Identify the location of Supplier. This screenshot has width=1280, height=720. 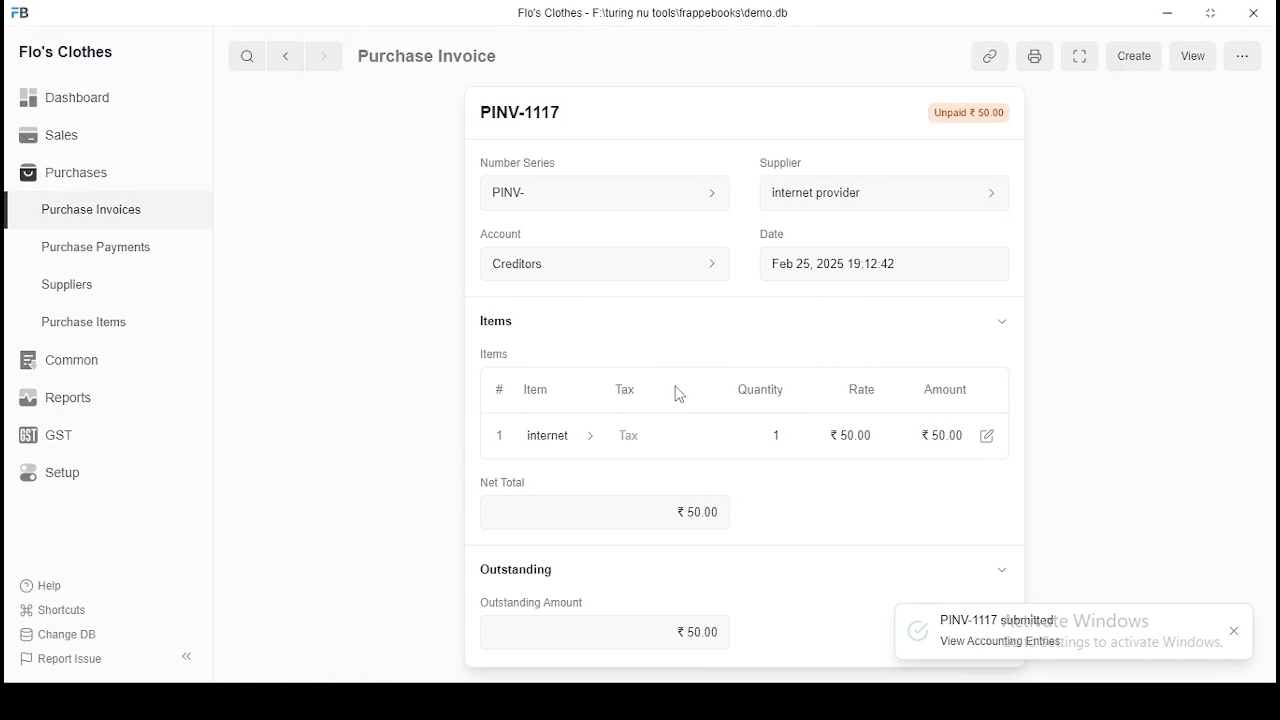
(778, 163).